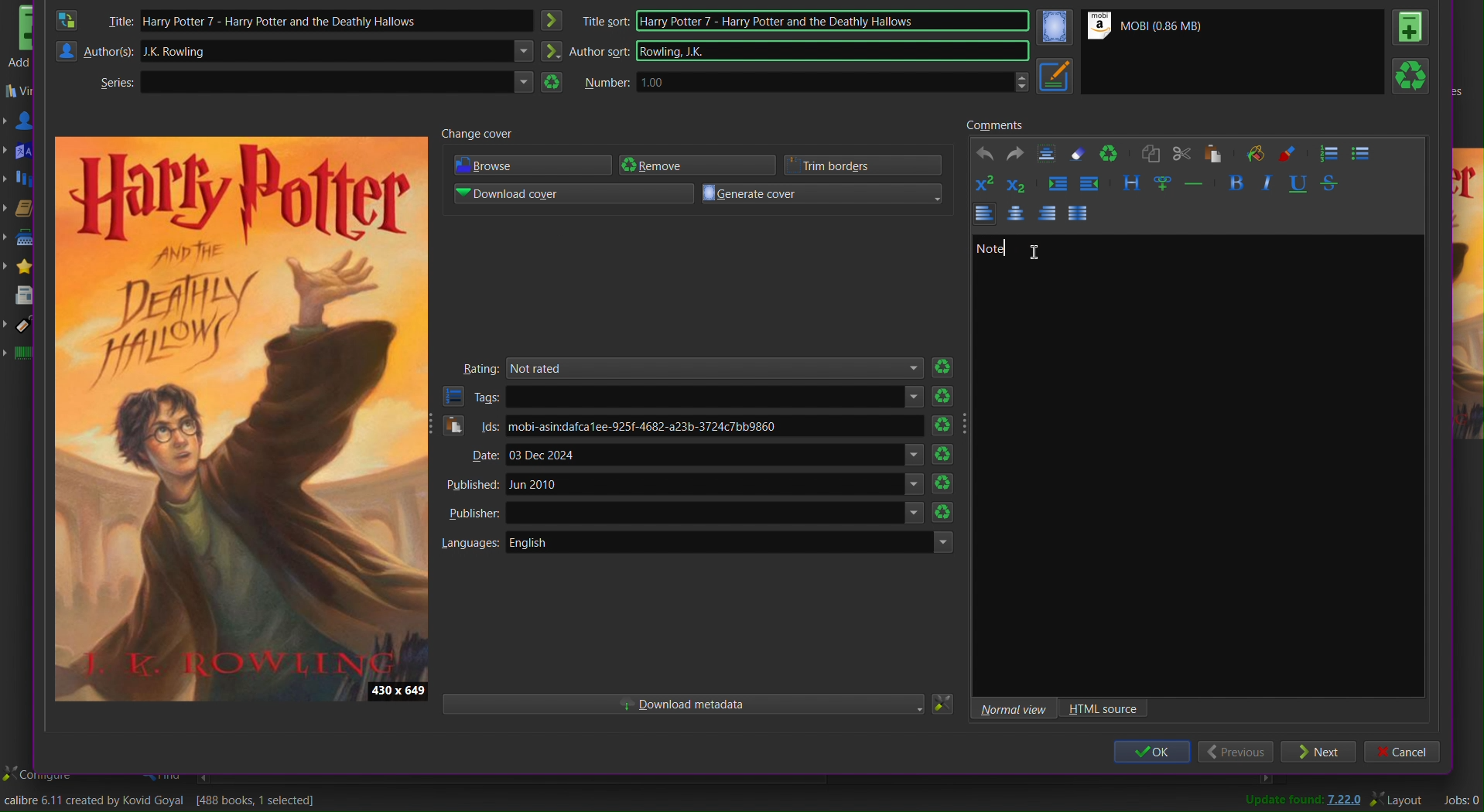 The width and height of the screenshot is (1484, 812). Describe the element at coordinates (1194, 183) in the screenshot. I see `Insert seperator` at that location.